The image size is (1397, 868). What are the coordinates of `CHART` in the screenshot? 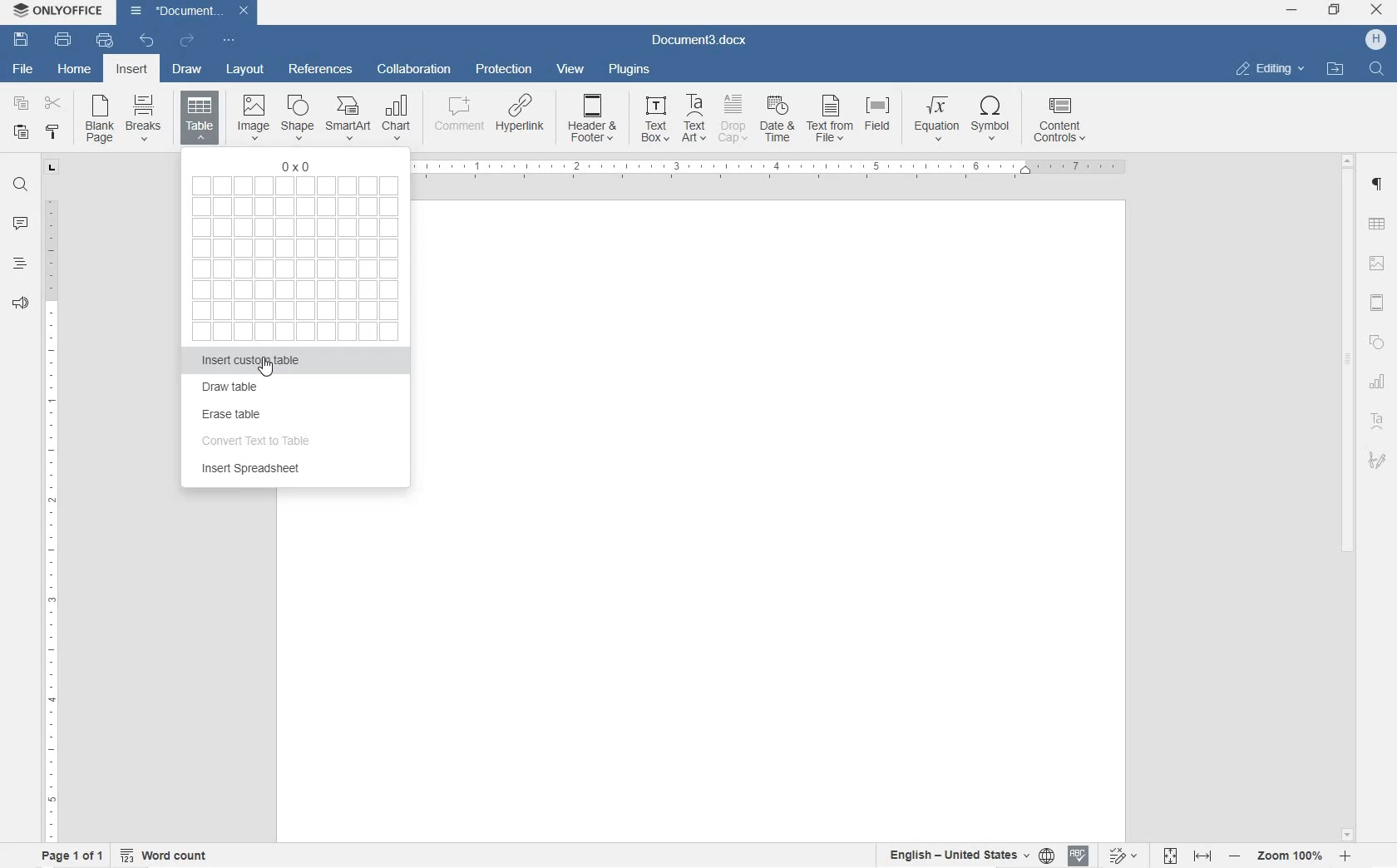 It's located at (1379, 384).